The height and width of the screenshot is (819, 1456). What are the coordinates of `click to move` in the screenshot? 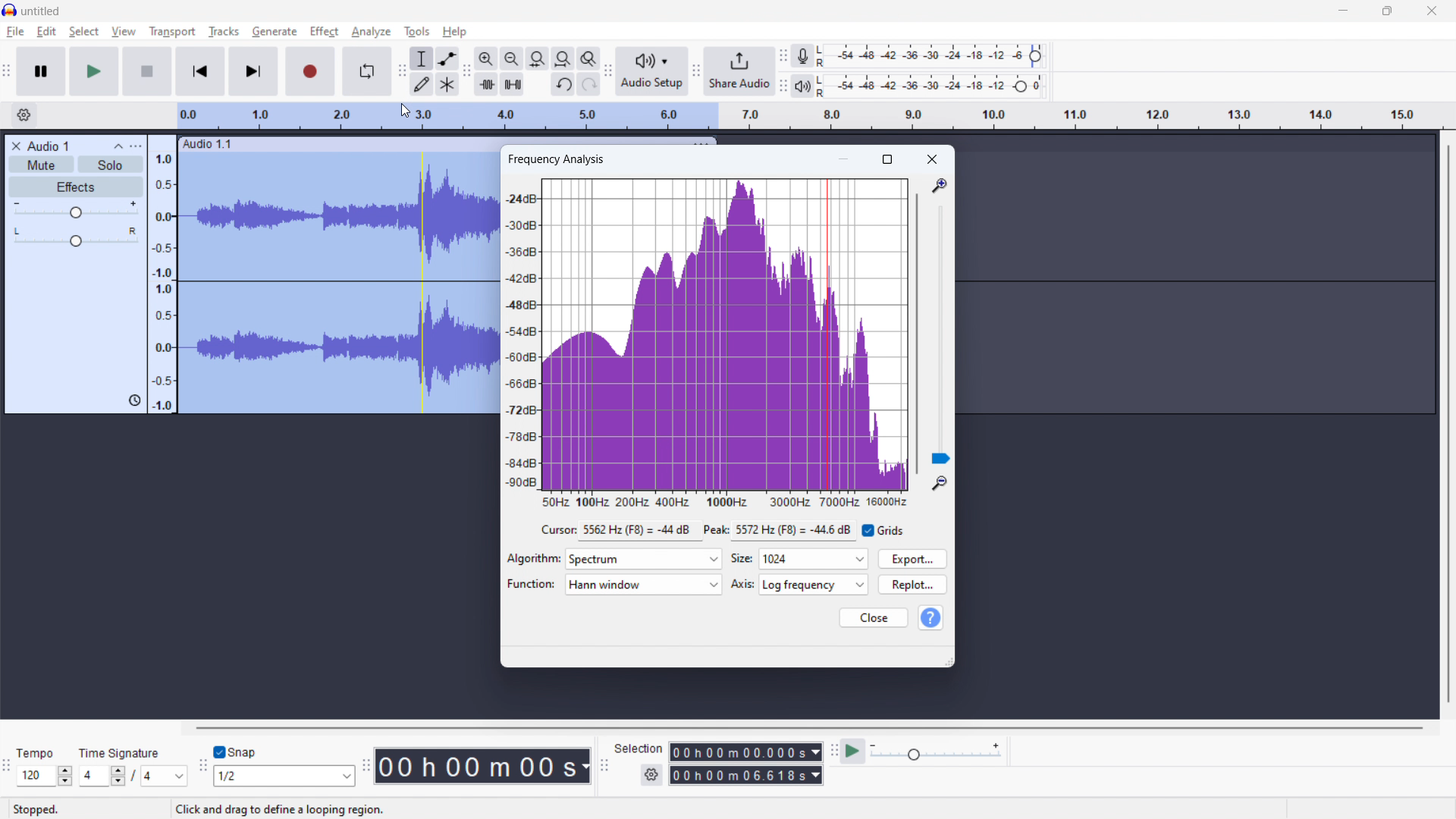 It's located at (256, 145).